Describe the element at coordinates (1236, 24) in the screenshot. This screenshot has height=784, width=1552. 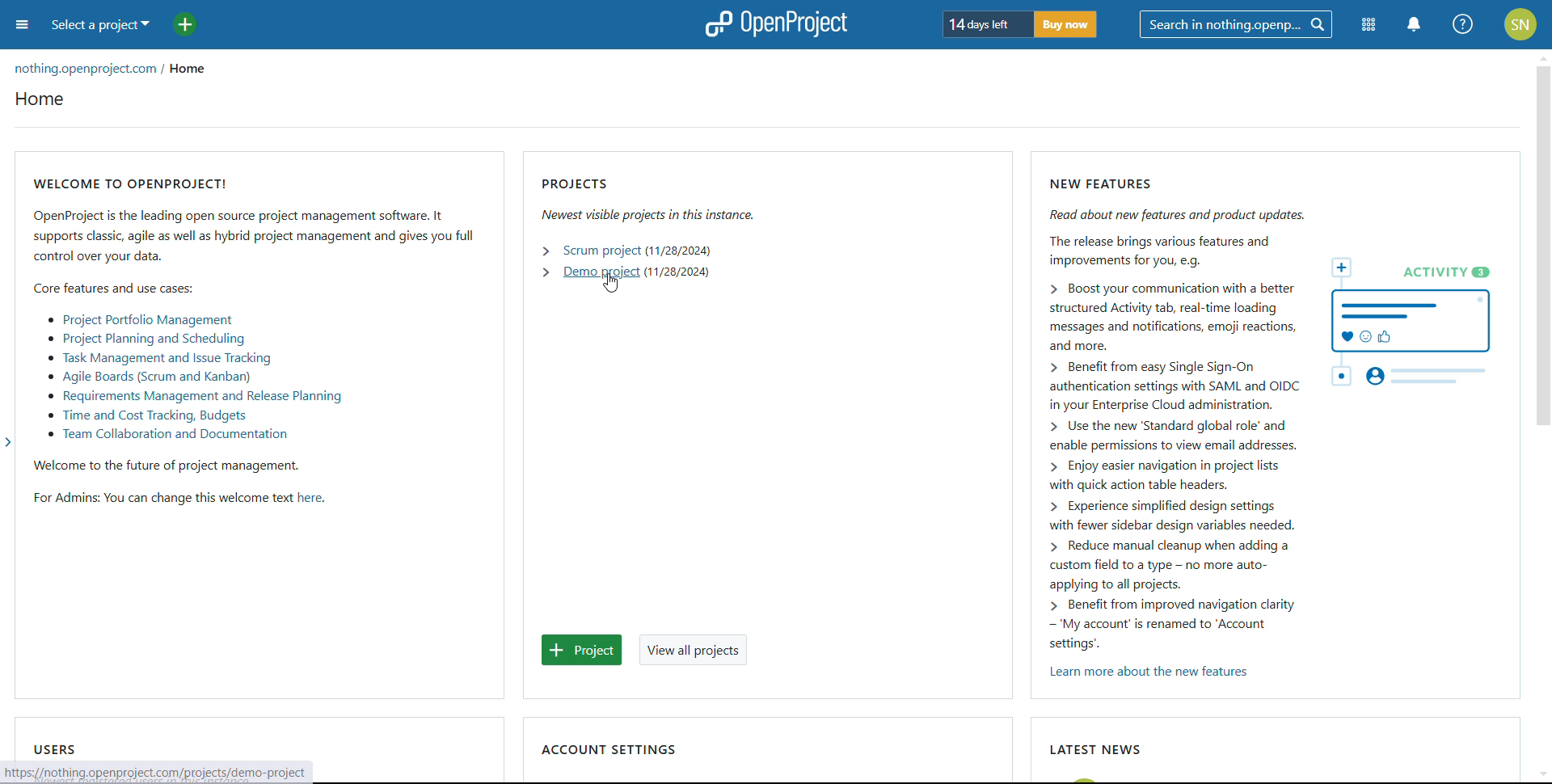
I see `search` at that location.